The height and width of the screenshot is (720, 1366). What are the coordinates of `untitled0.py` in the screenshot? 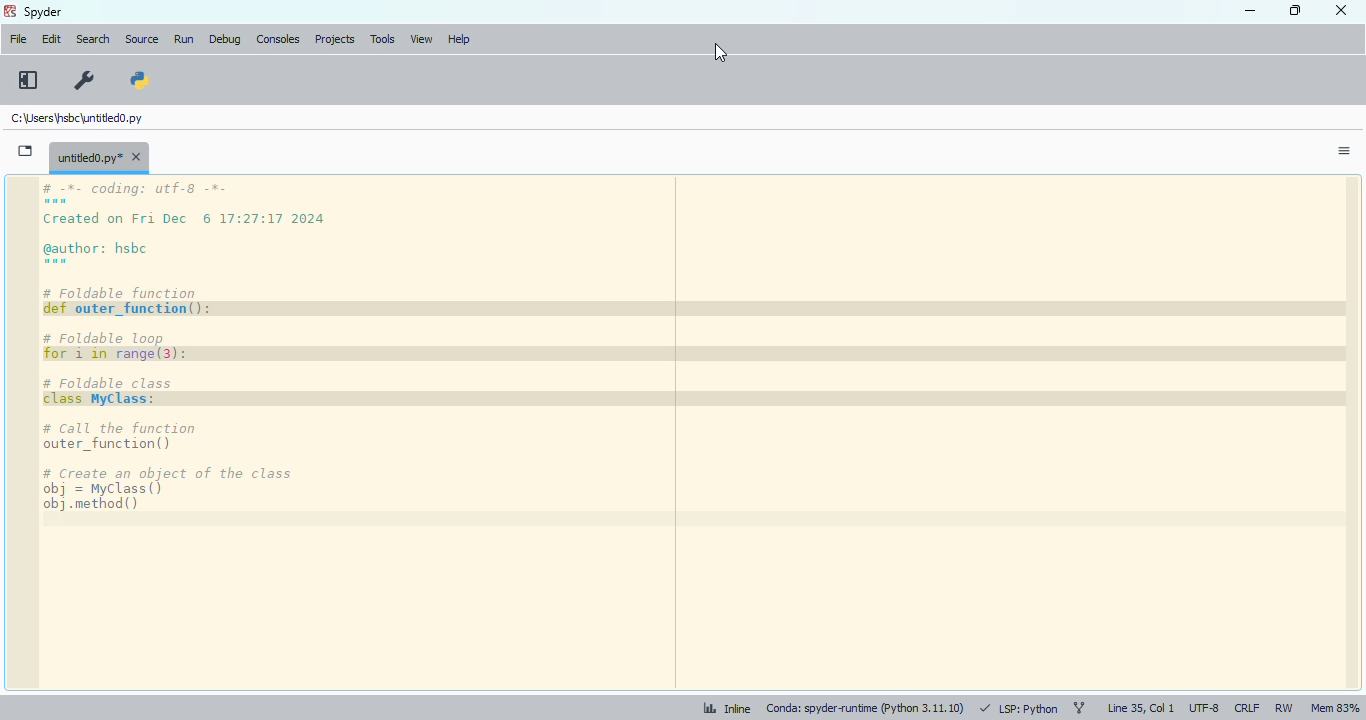 It's located at (99, 156).